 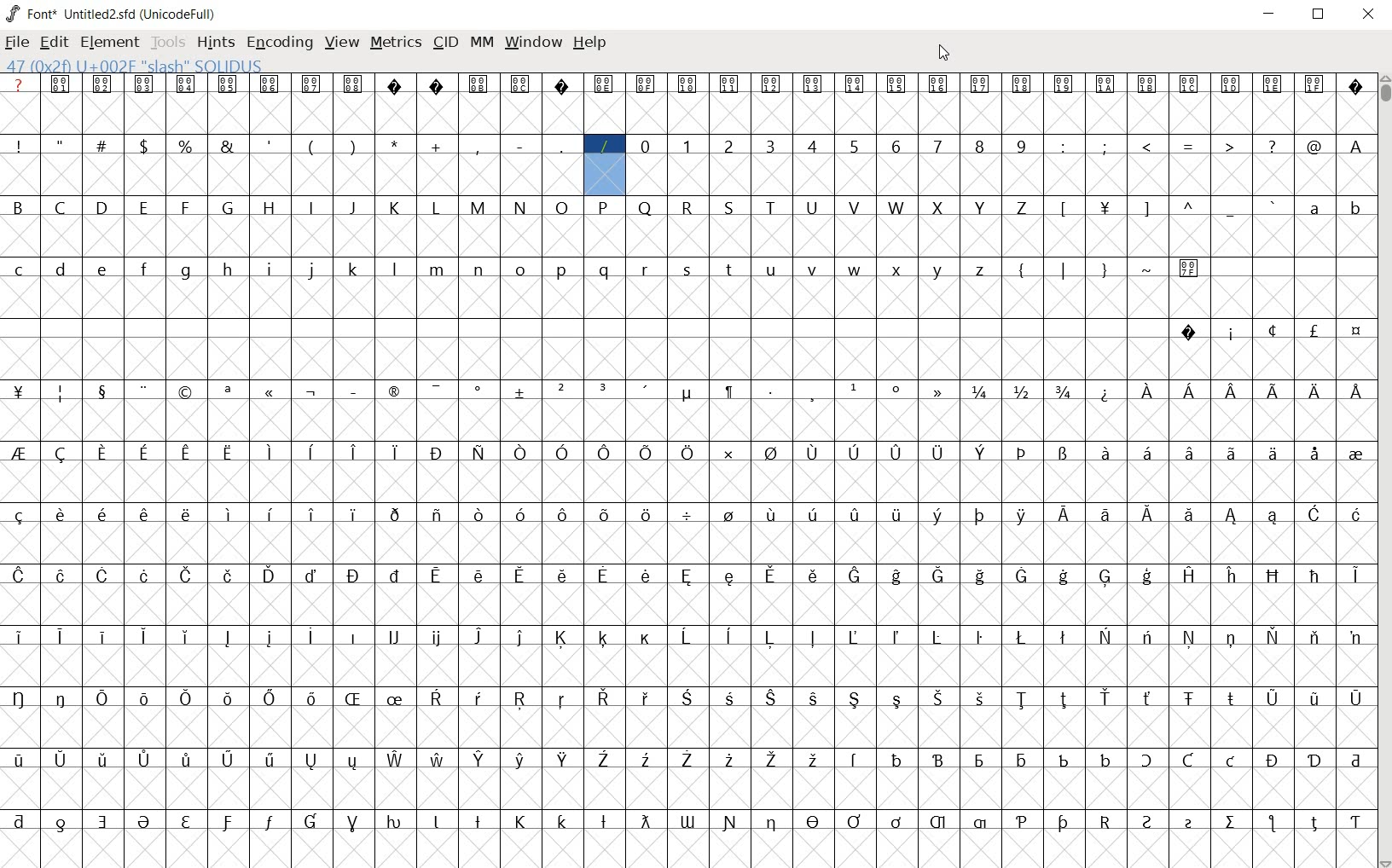 I want to click on glyph, so click(x=395, y=144).